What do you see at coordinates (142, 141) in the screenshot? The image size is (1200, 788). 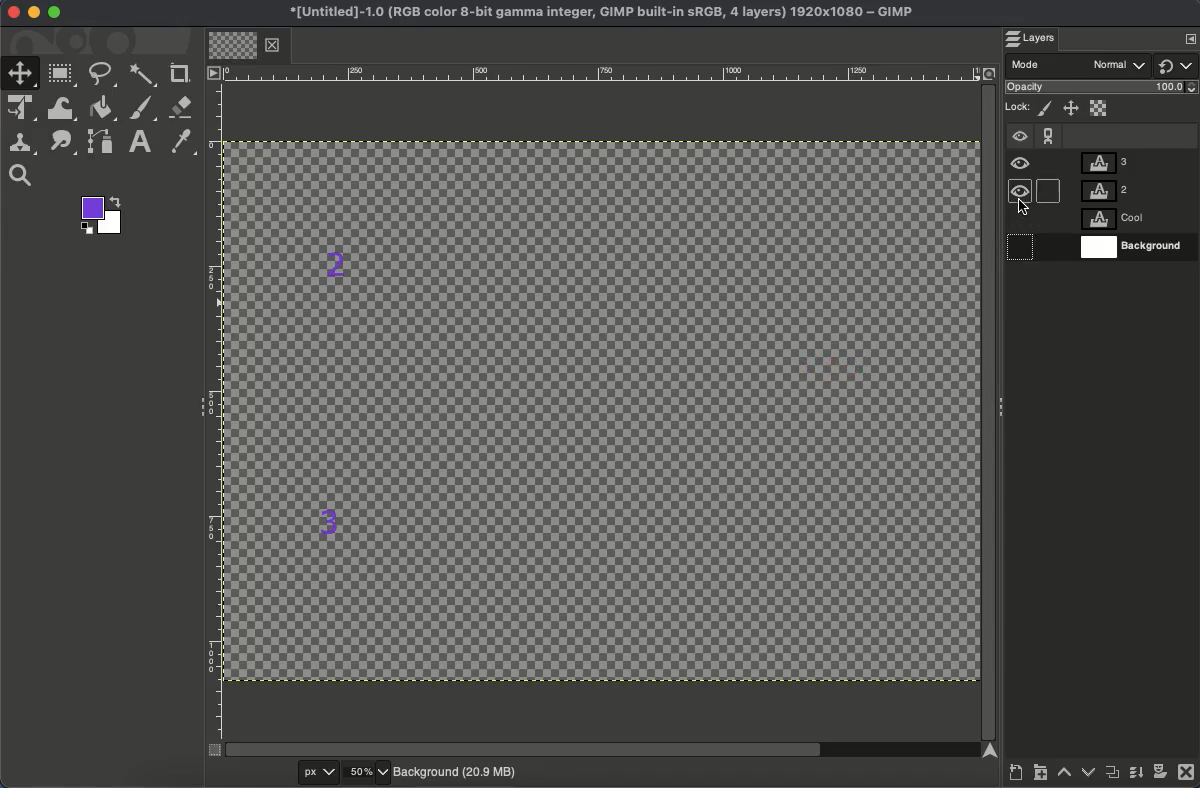 I see `Text` at bounding box center [142, 141].